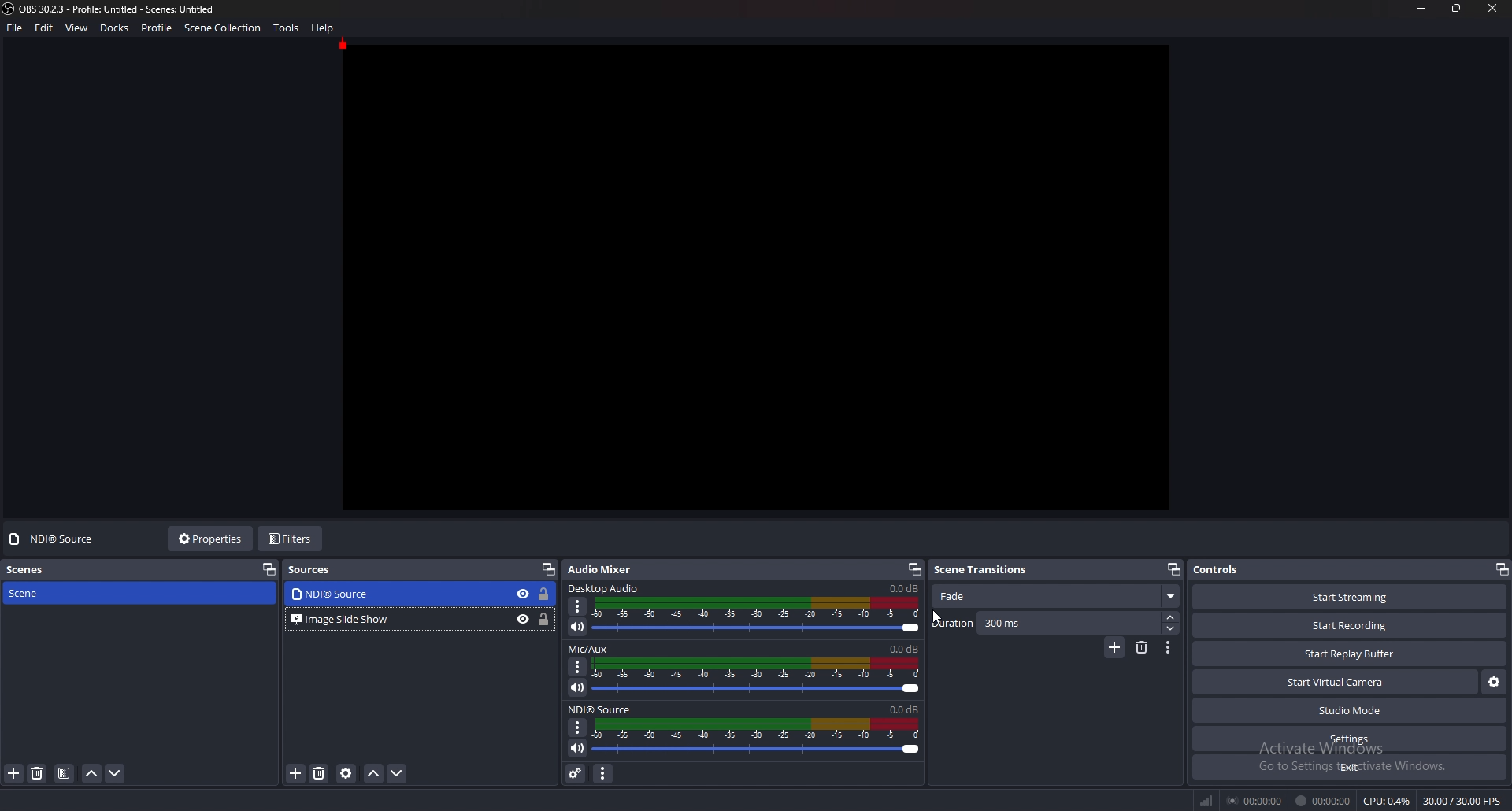 The height and width of the screenshot is (811, 1512). Describe the element at coordinates (1493, 9) in the screenshot. I see `close` at that location.